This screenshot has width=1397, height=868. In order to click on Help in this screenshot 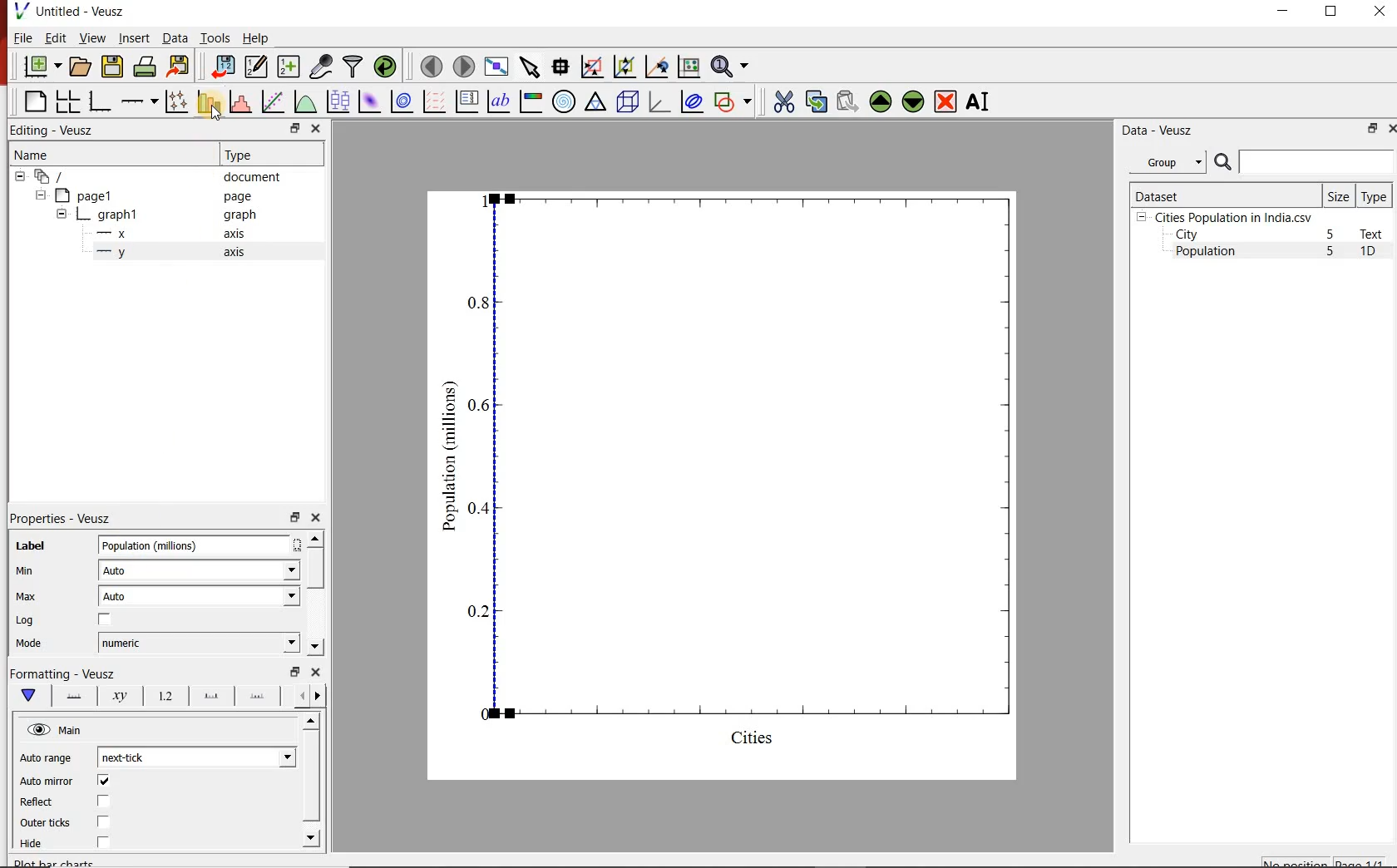, I will do `click(257, 37)`.